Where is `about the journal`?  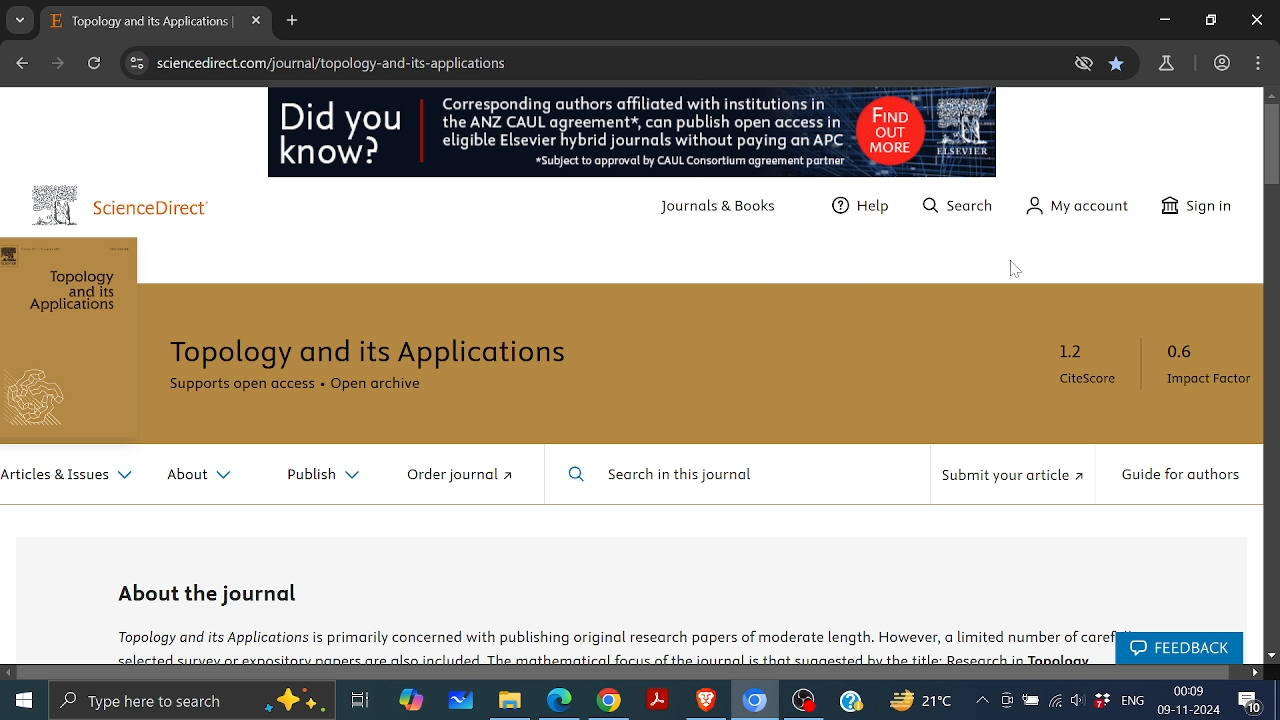
about the journal is located at coordinates (211, 592).